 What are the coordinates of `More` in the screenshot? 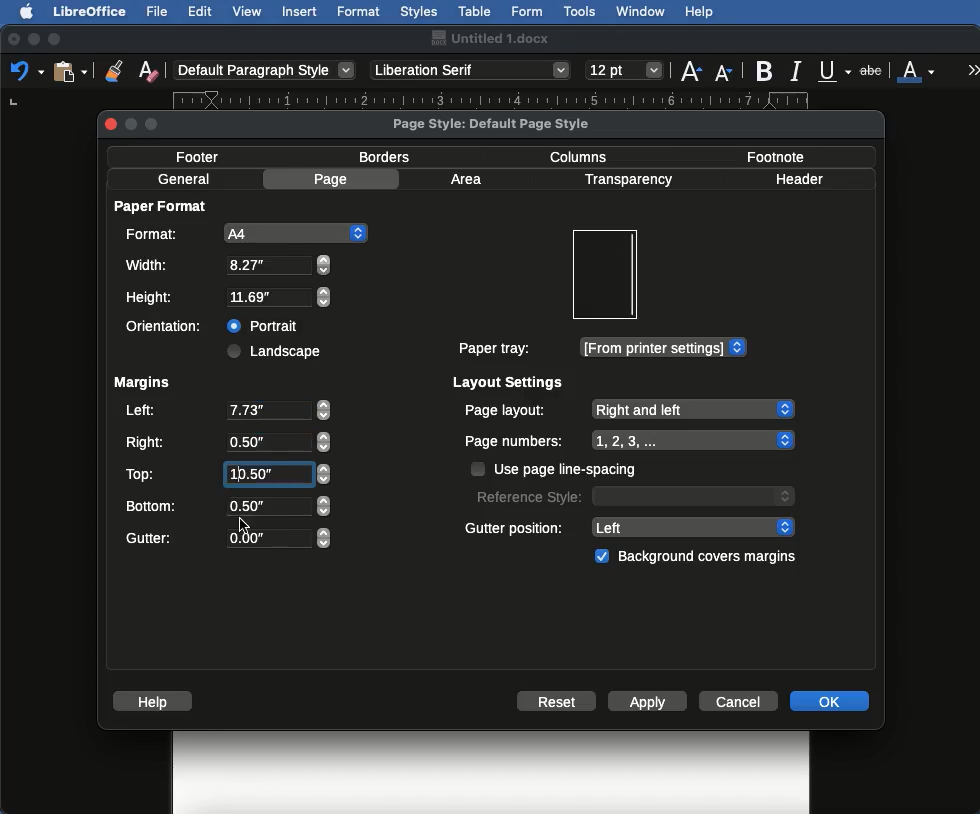 It's located at (974, 69).